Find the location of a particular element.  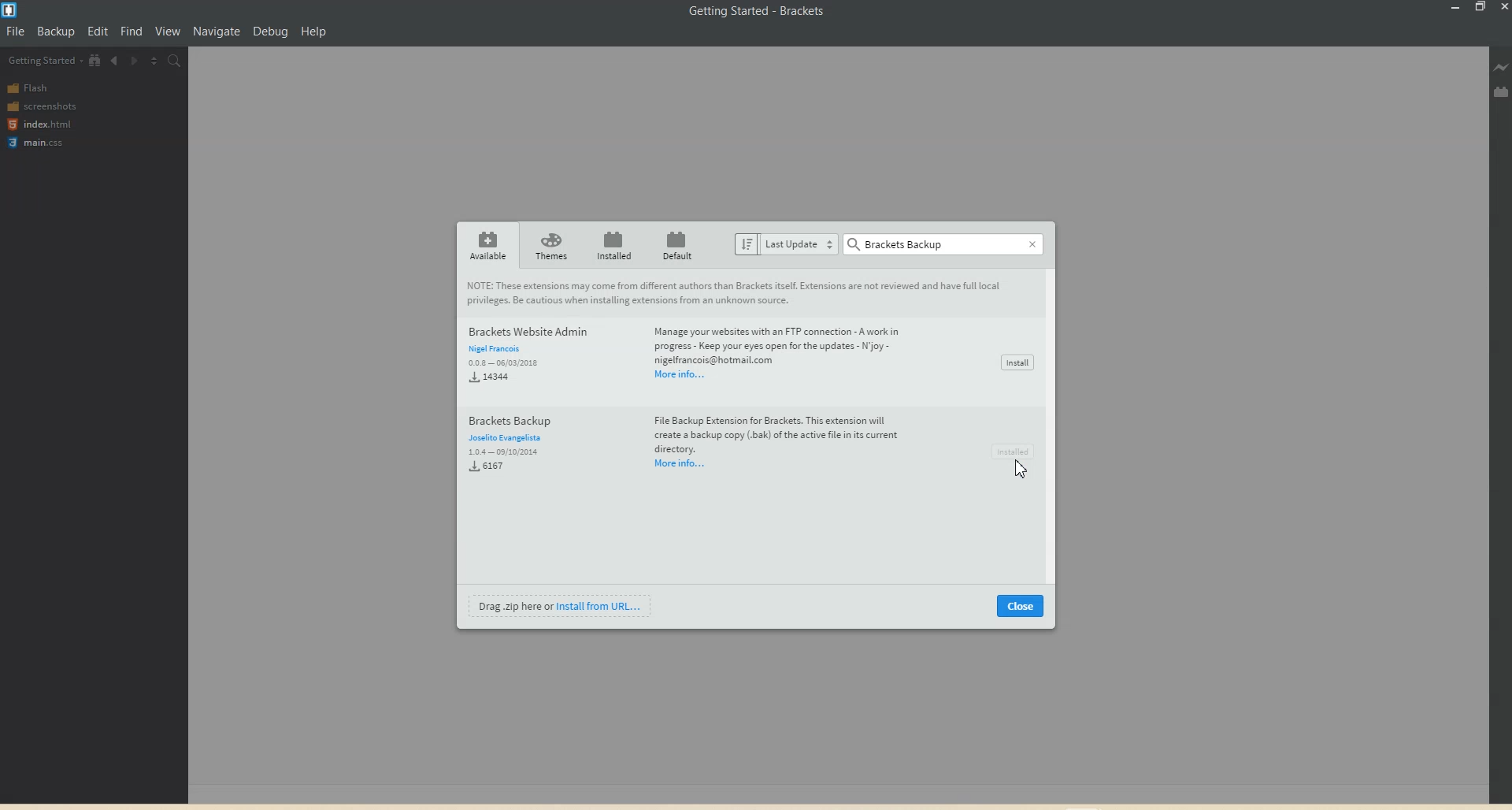

Manage your websites with an FTP connection - A work in progress - Keep your eyes open for the updates - joy -nigelfrancois@hotmail.comMoreinfo... is located at coordinates (785, 353).